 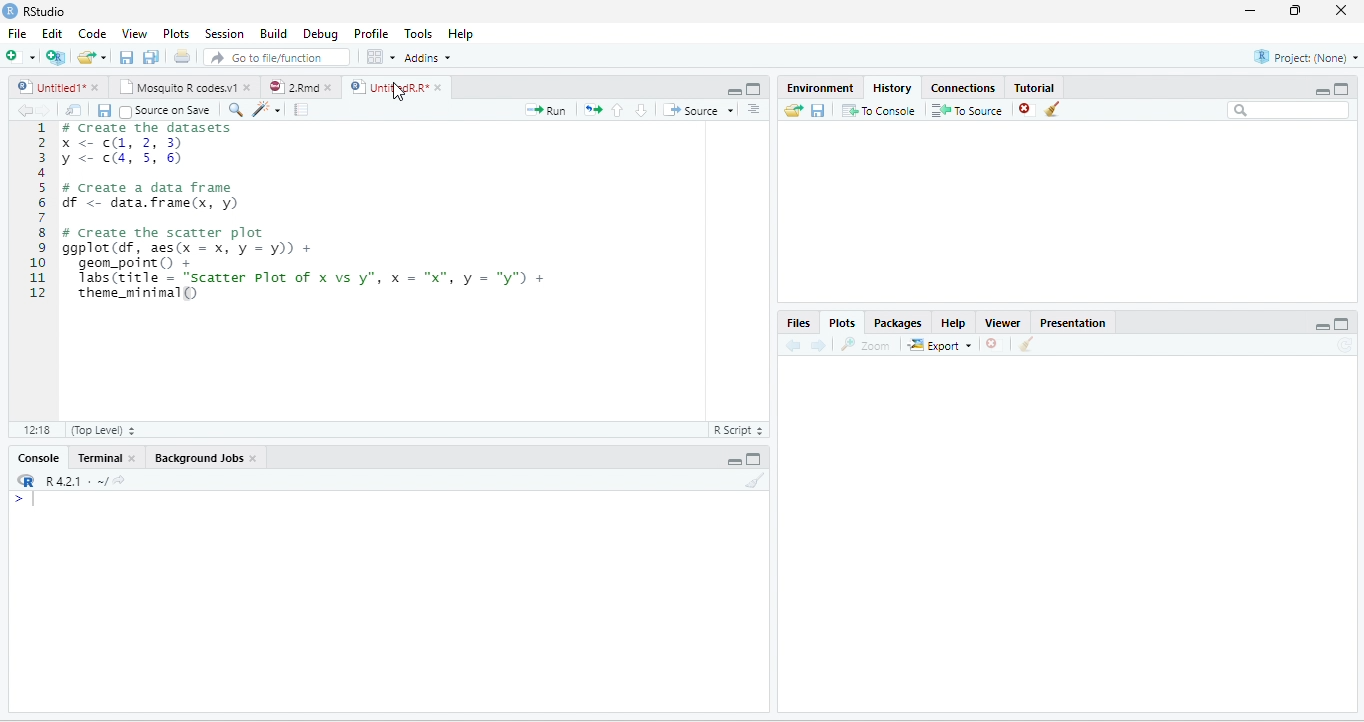 I want to click on View the current working directory, so click(x=119, y=479).